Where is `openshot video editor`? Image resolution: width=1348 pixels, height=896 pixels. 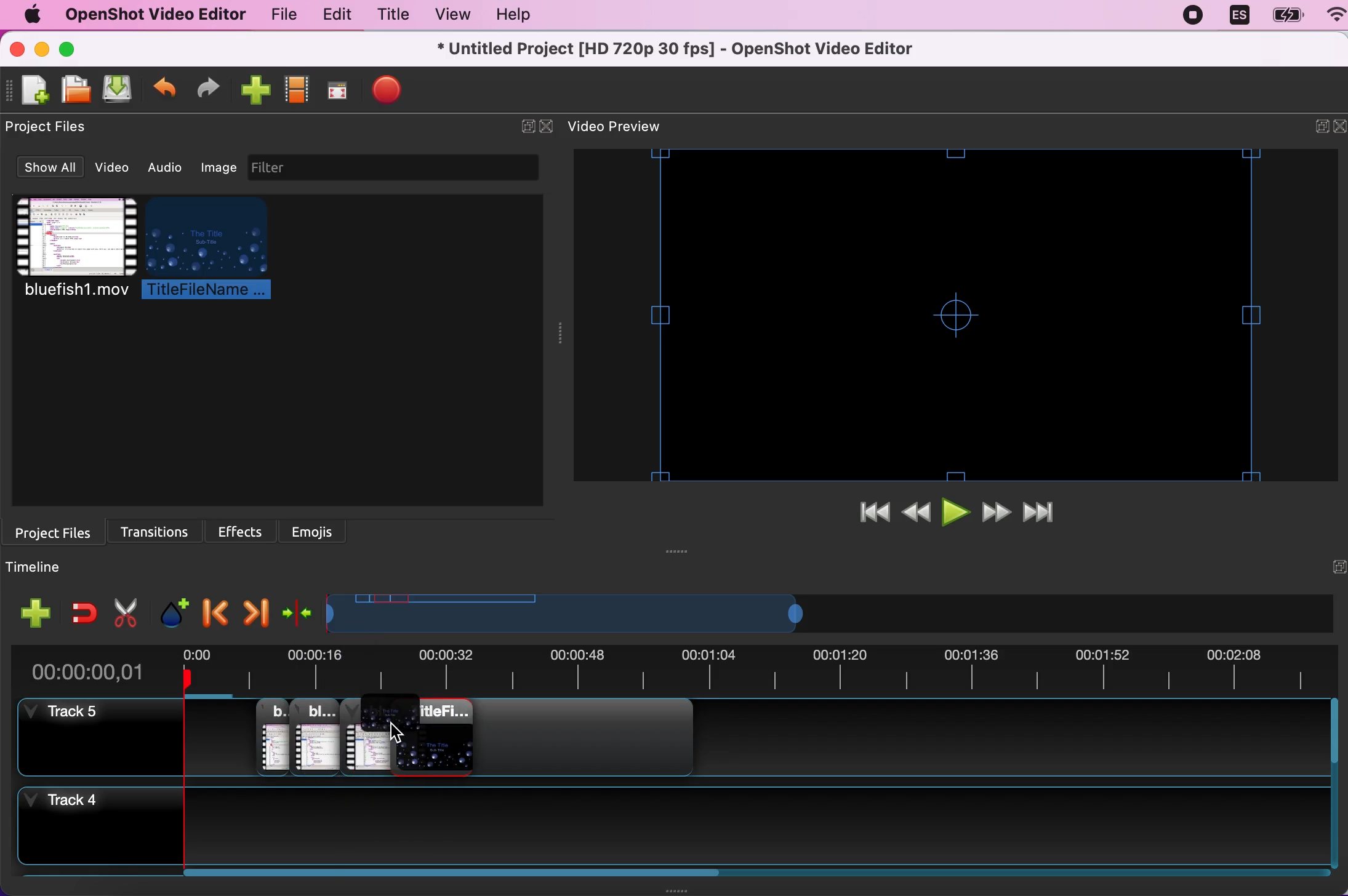 openshot video editor is located at coordinates (149, 14).